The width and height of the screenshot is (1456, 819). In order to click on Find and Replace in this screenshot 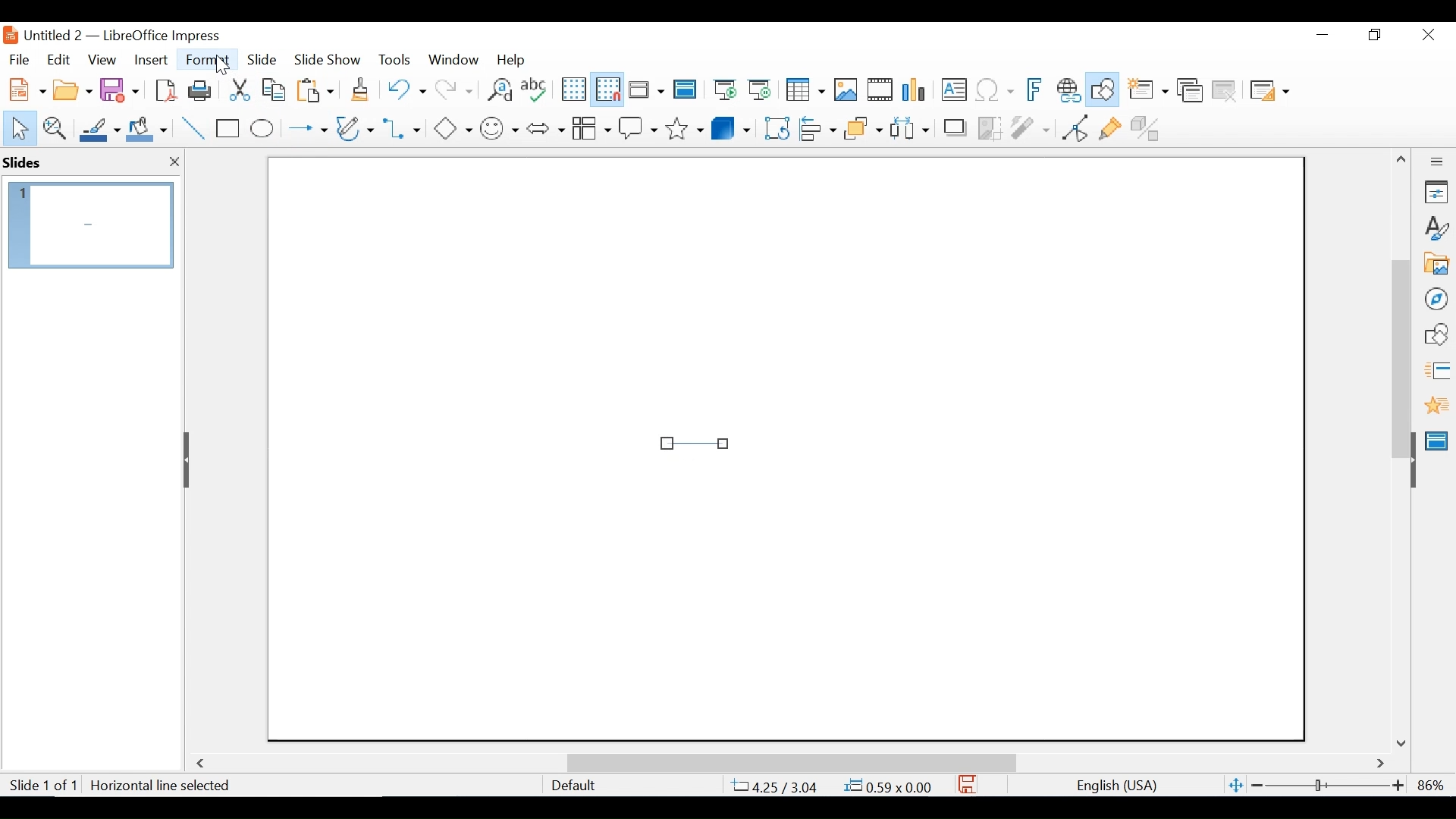, I will do `click(499, 89)`.